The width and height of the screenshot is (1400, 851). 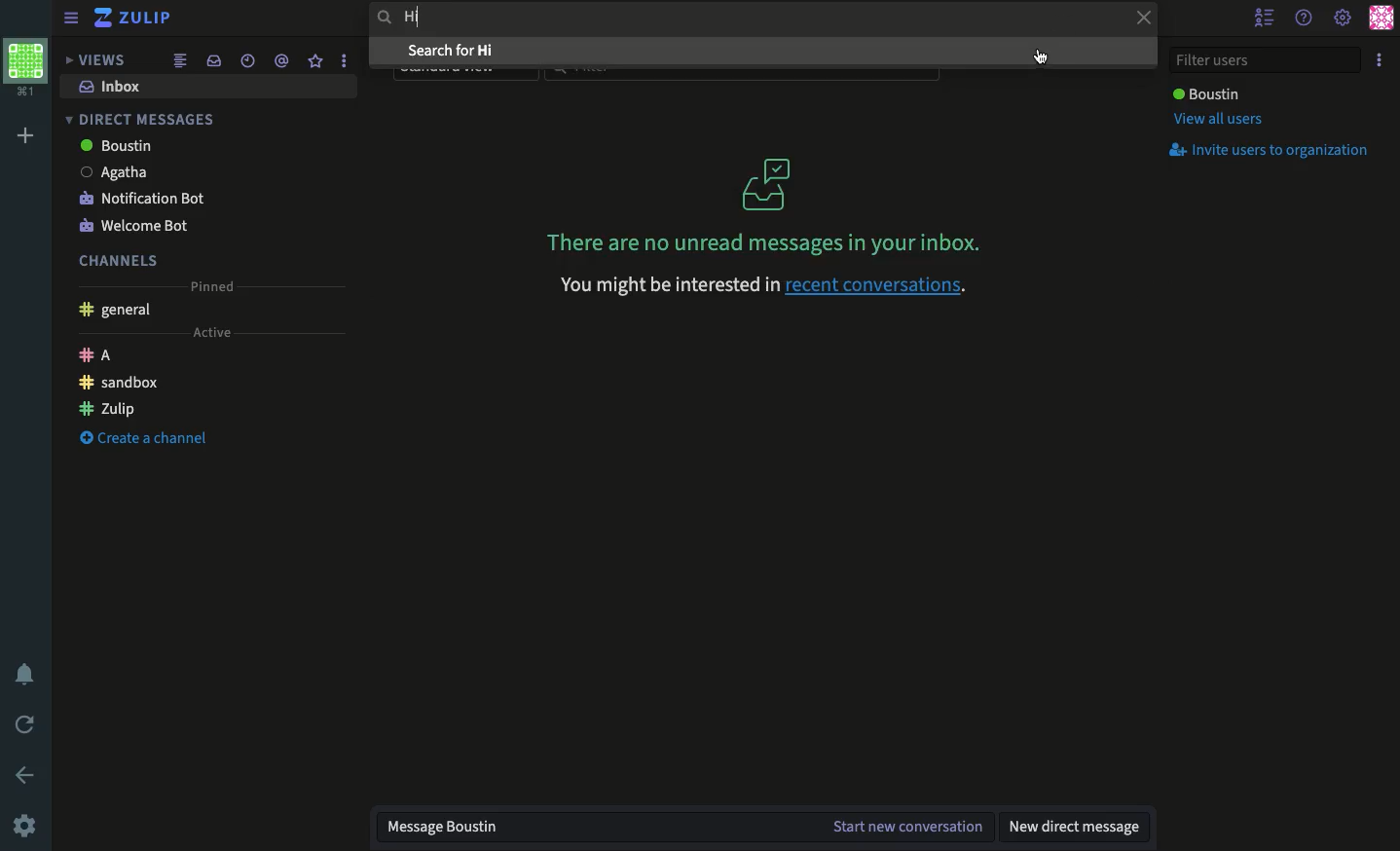 What do you see at coordinates (1268, 59) in the screenshot?
I see `Filter users` at bounding box center [1268, 59].